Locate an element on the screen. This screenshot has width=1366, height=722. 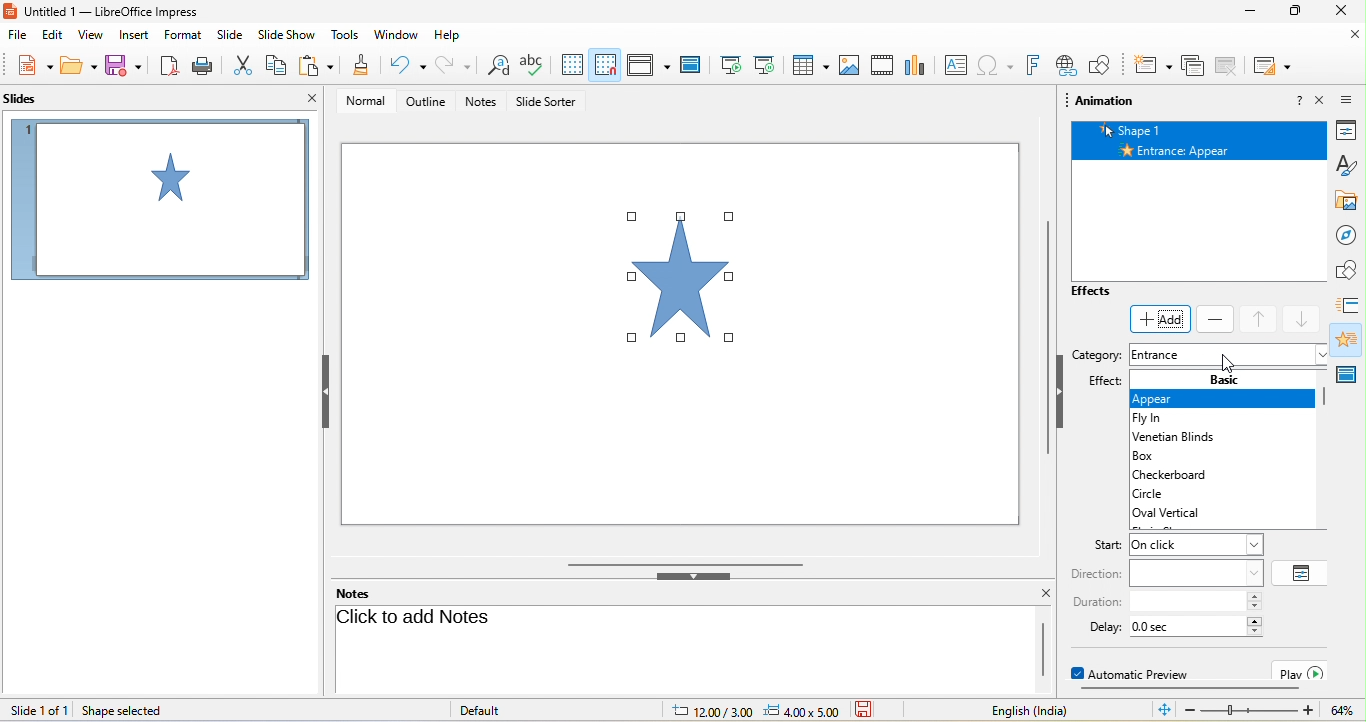
circle is located at coordinates (1170, 493).